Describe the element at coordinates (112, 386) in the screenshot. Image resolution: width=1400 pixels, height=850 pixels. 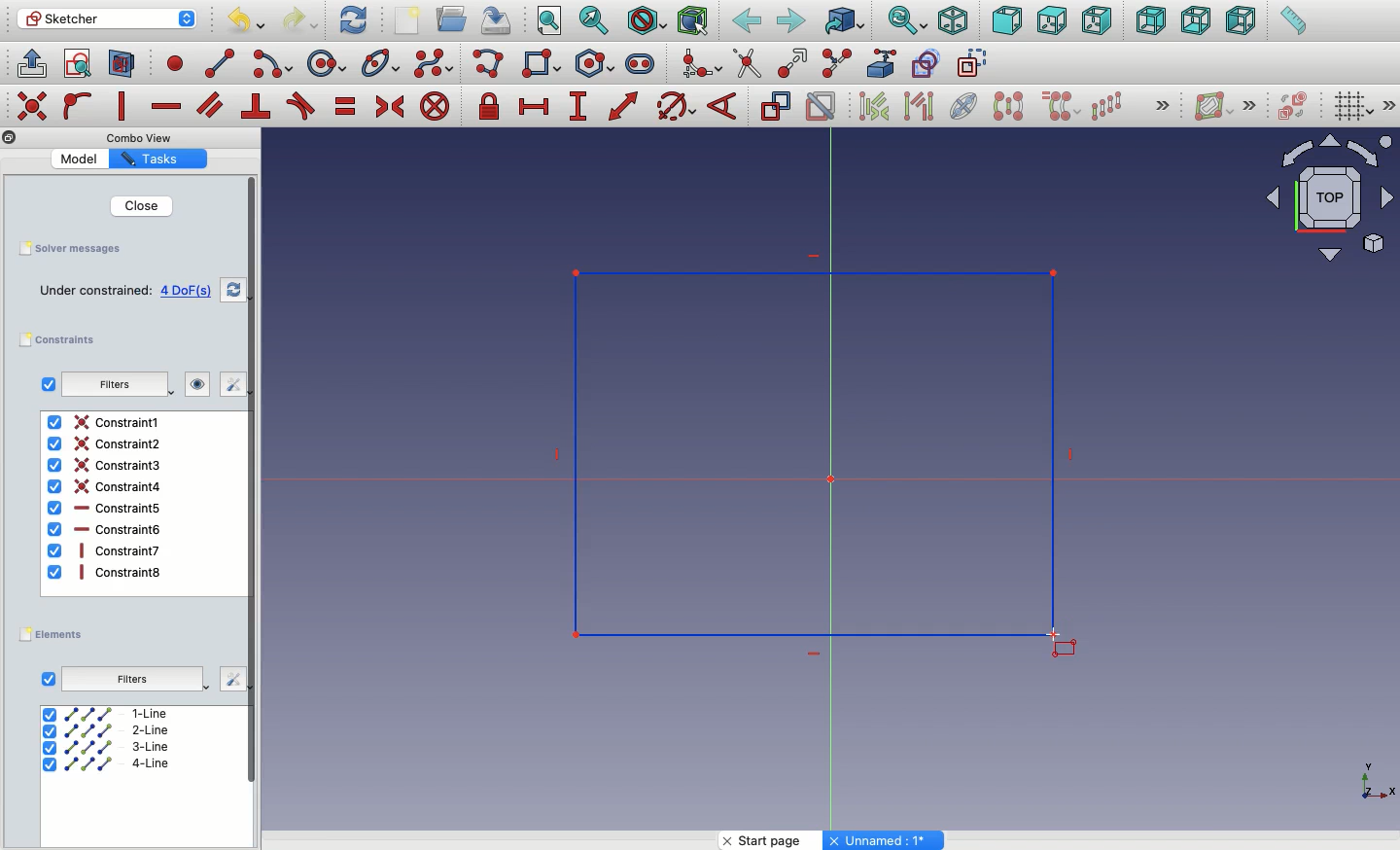
I see `filters` at that location.